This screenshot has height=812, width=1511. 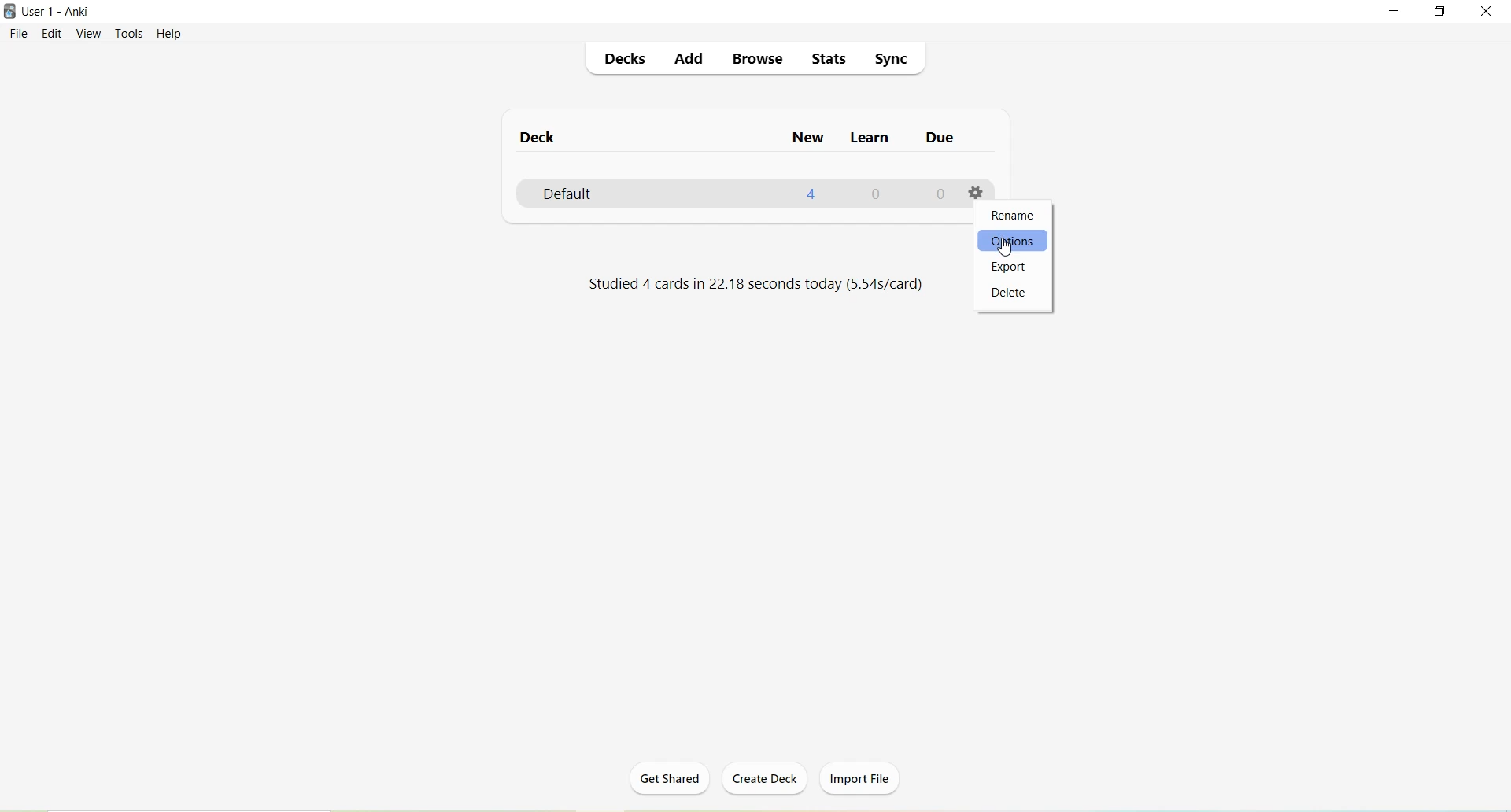 What do you see at coordinates (890, 61) in the screenshot?
I see `Sync` at bounding box center [890, 61].